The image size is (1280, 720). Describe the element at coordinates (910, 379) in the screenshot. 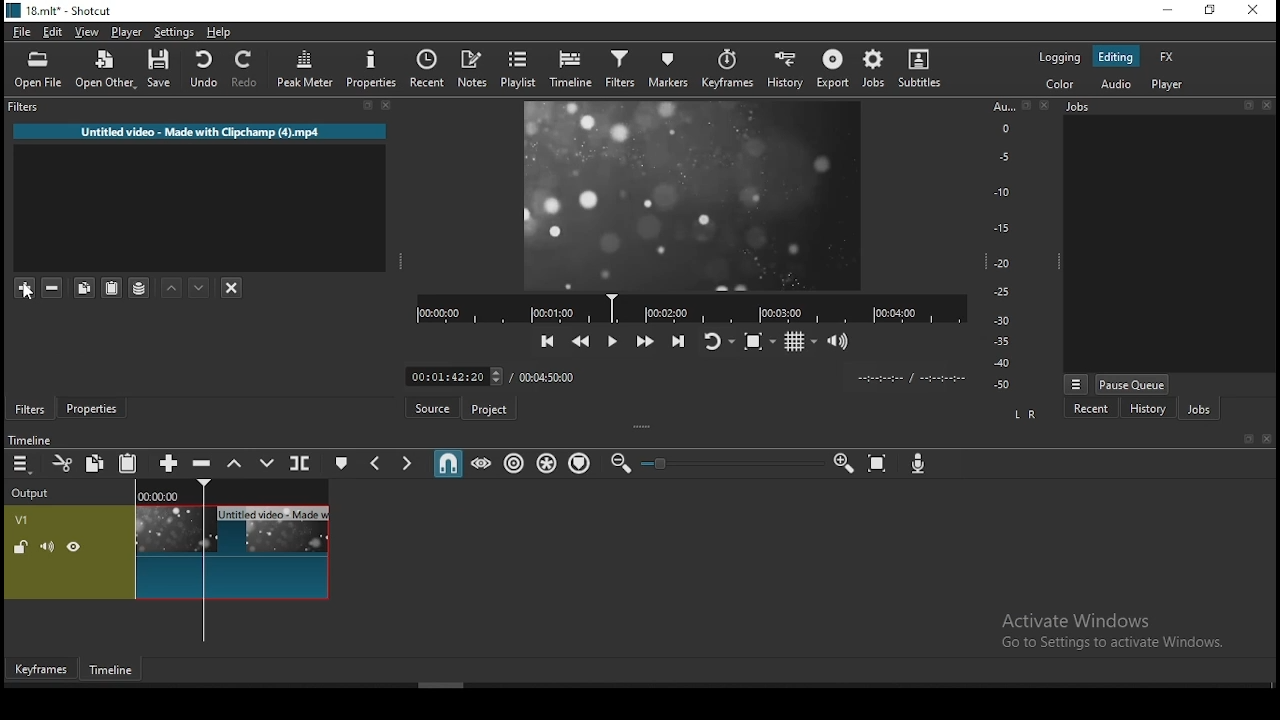

I see `Clip Time` at that location.